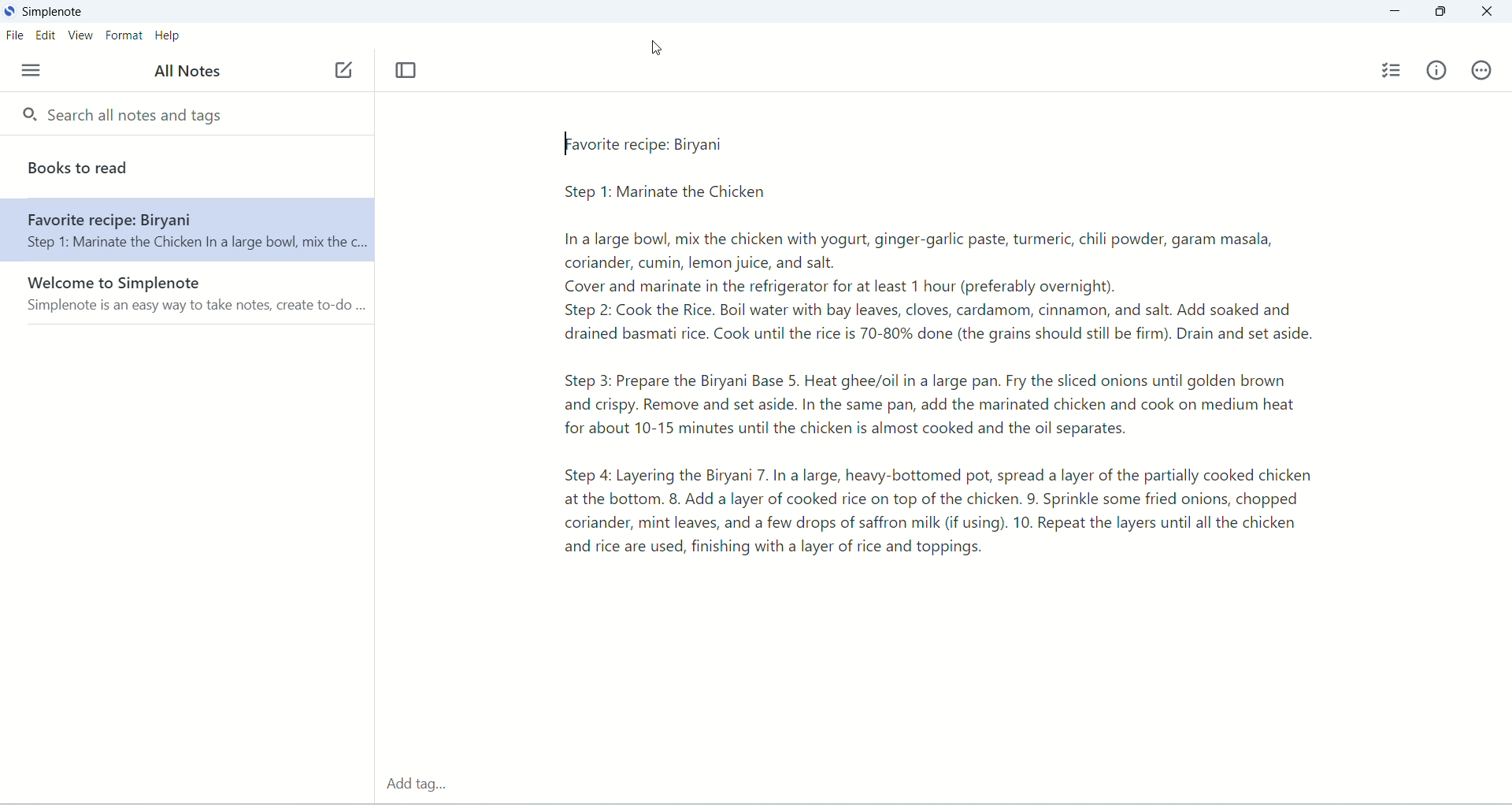  What do you see at coordinates (187, 295) in the screenshot?
I see `welcome to simplenote` at bounding box center [187, 295].